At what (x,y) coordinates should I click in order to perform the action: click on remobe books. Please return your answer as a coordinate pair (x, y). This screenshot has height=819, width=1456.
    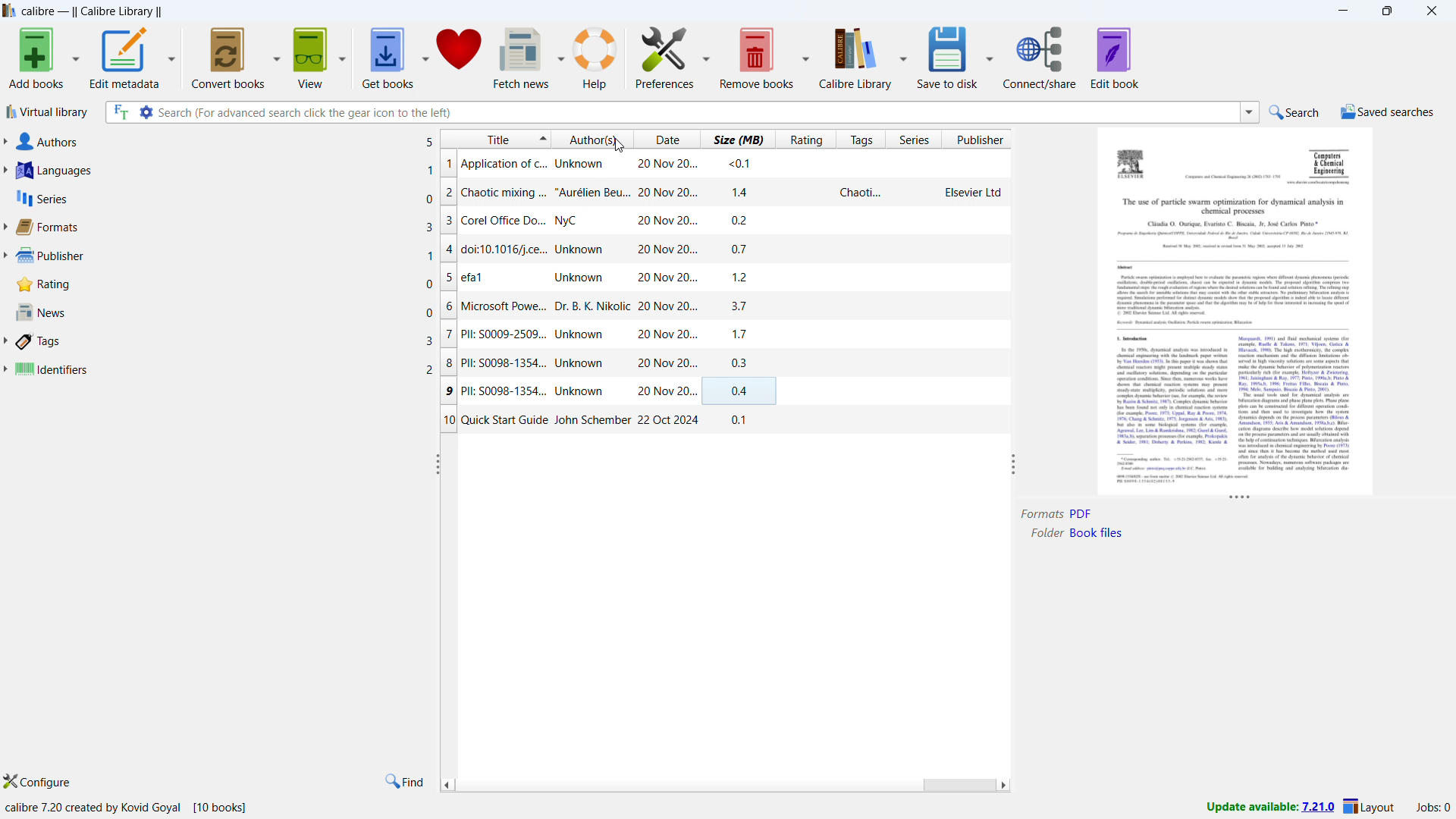
    Looking at the image, I should click on (757, 57).